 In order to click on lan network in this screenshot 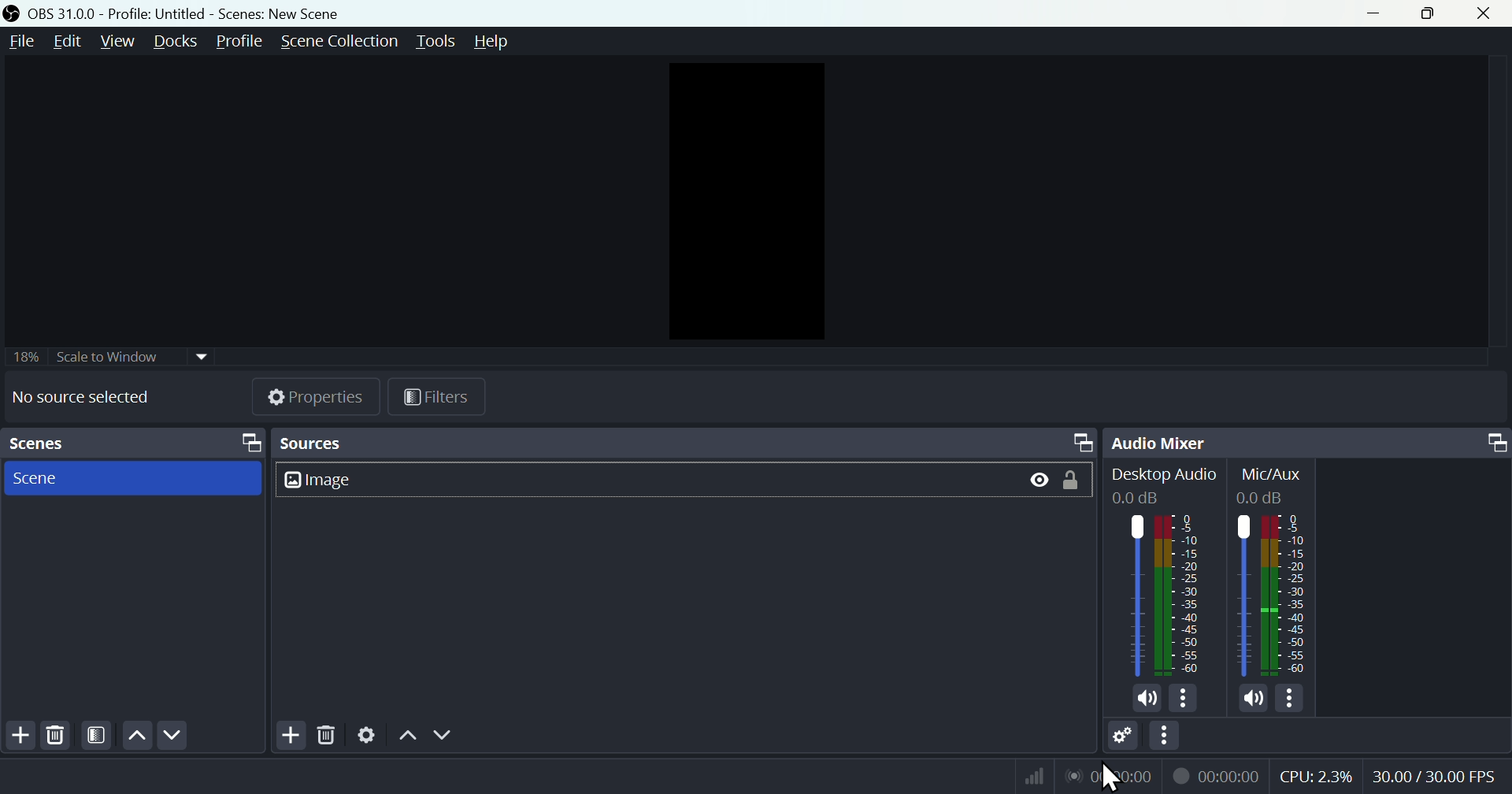, I will do `click(1106, 777)`.